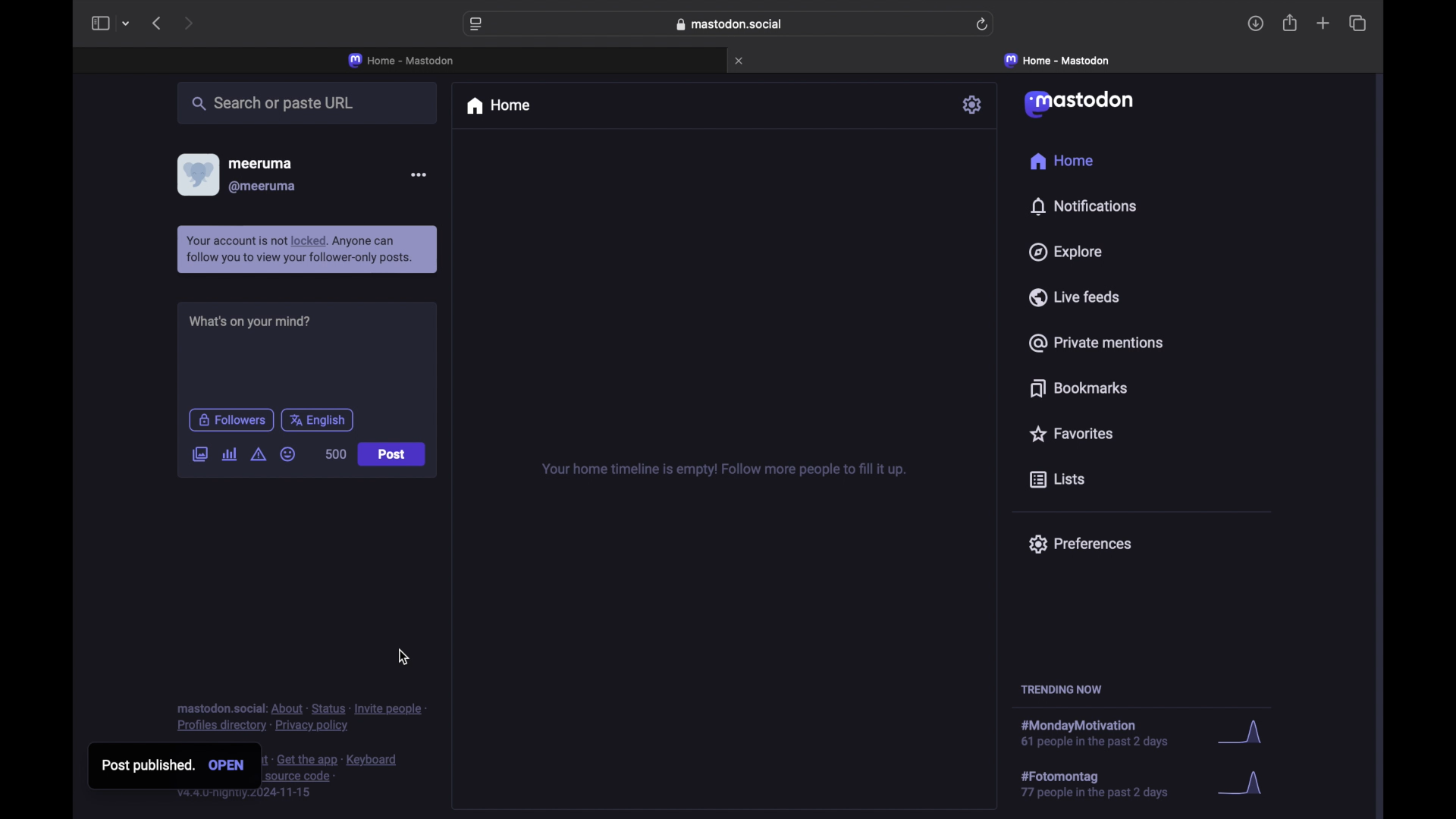  Describe the element at coordinates (231, 420) in the screenshot. I see `followers` at that location.